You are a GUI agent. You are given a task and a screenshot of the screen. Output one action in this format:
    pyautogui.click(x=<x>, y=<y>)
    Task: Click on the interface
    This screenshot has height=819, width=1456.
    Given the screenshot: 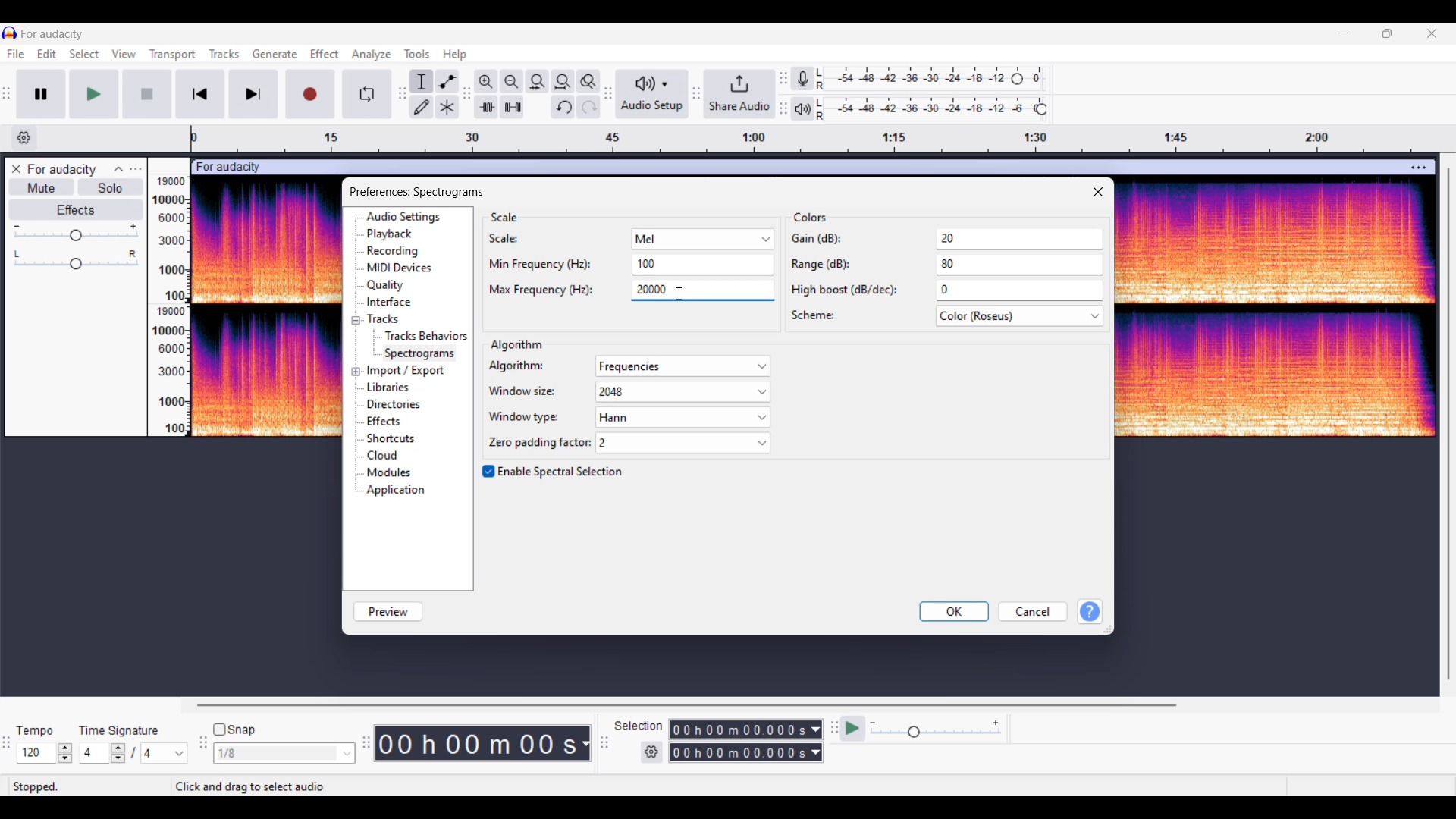 What is the action you would take?
    pyautogui.click(x=394, y=303)
    